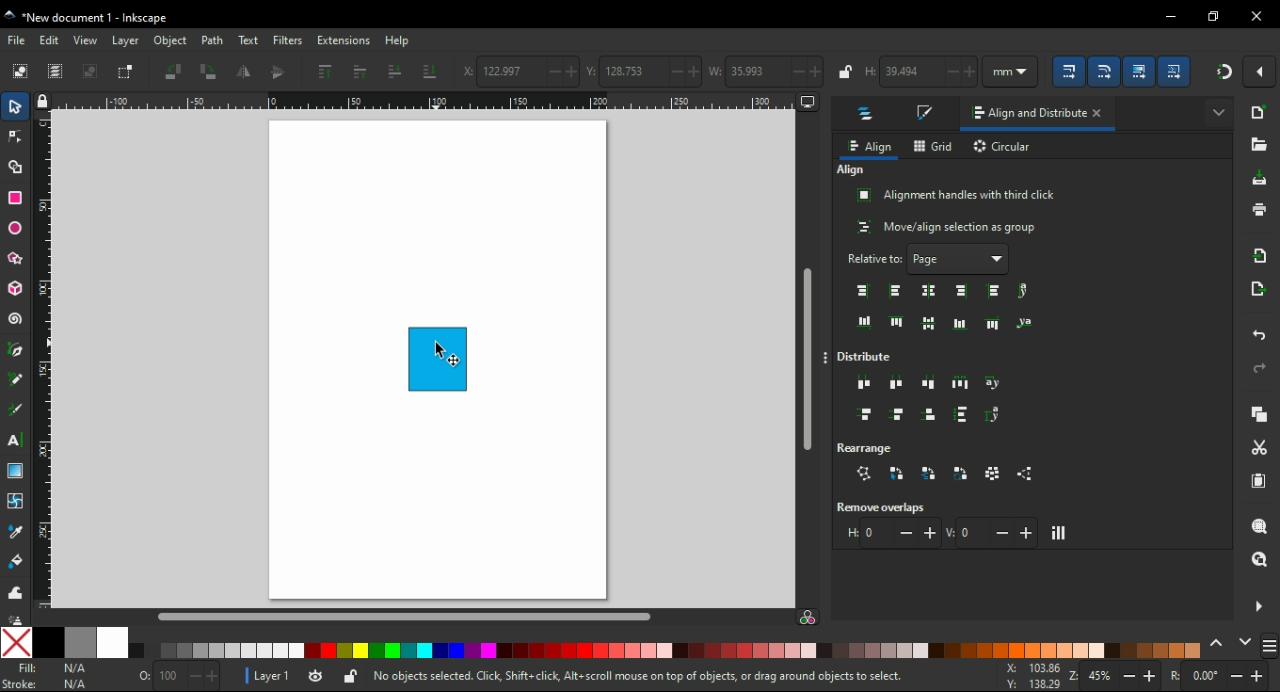  Describe the element at coordinates (1004, 147) in the screenshot. I see `circular` at that location.